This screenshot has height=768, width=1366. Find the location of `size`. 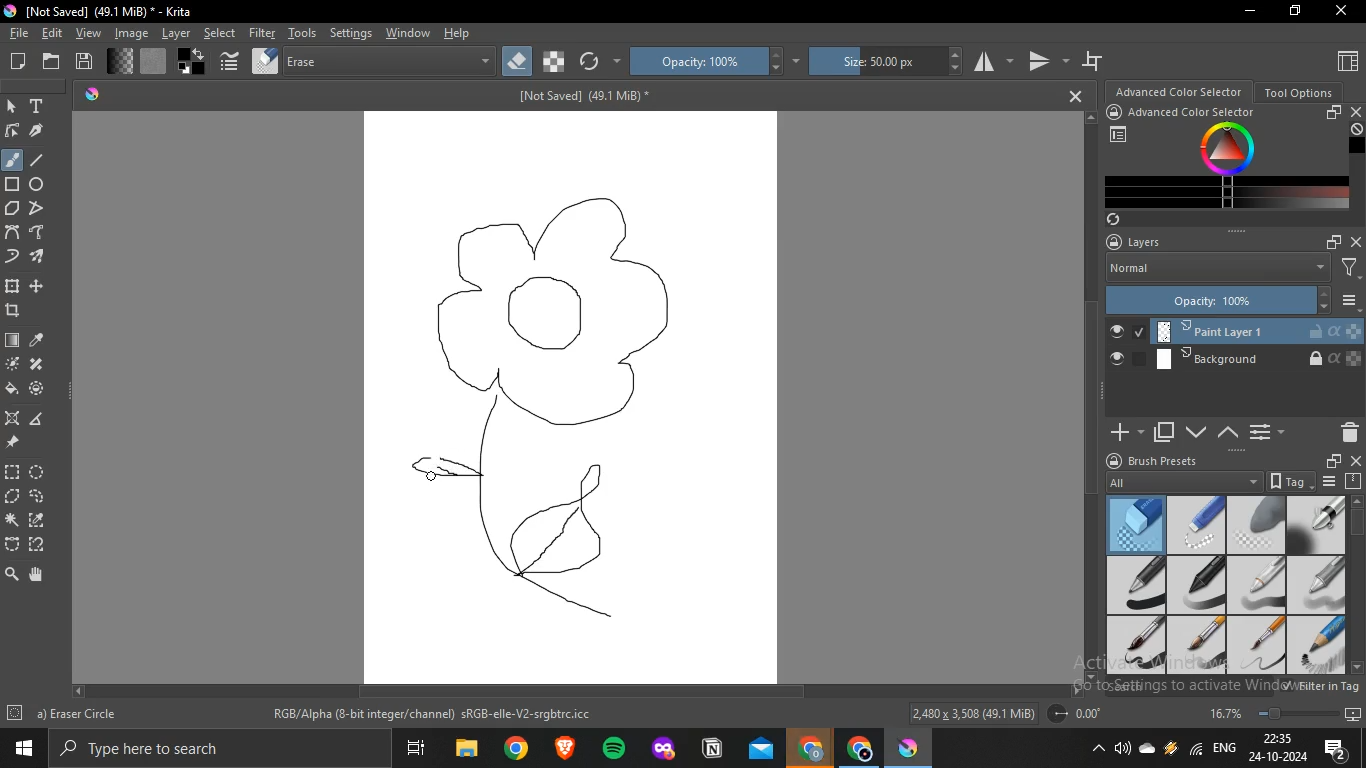

size is located at coordinates (883, 63).